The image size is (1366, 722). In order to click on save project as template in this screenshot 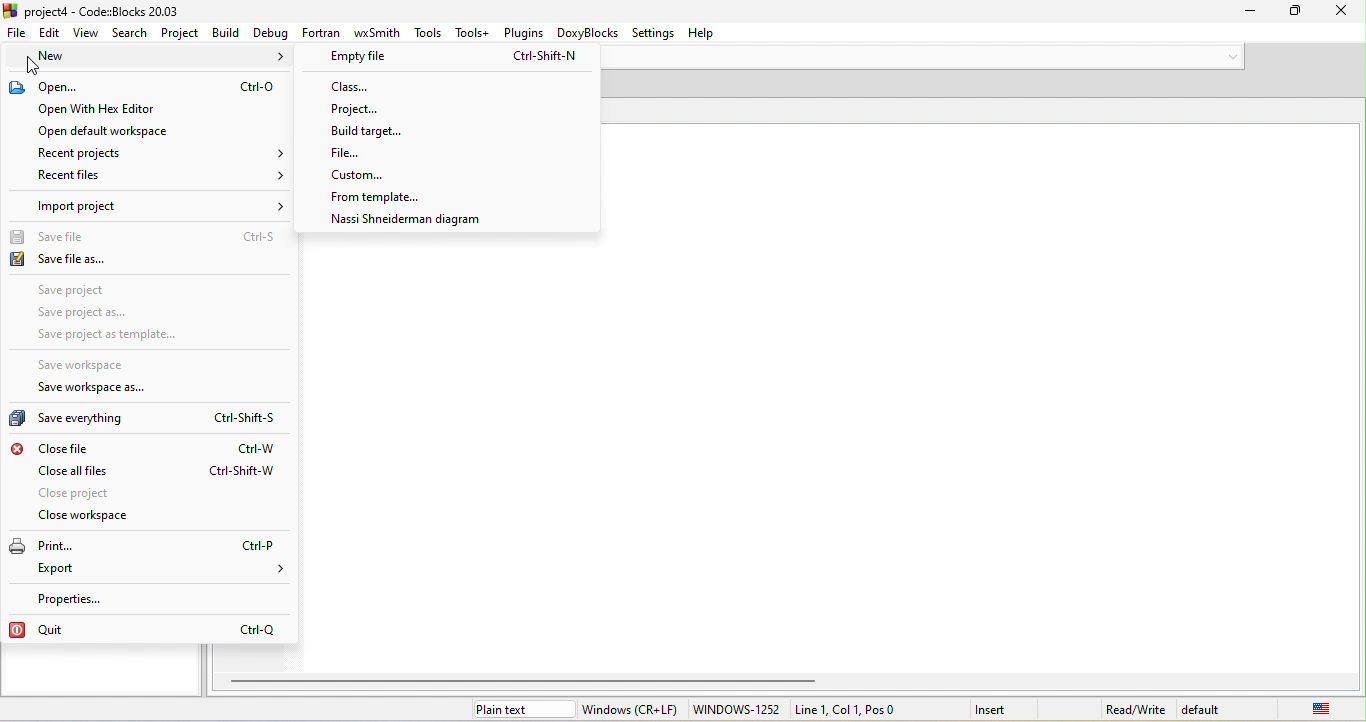, I will do `click(118, 335)`.